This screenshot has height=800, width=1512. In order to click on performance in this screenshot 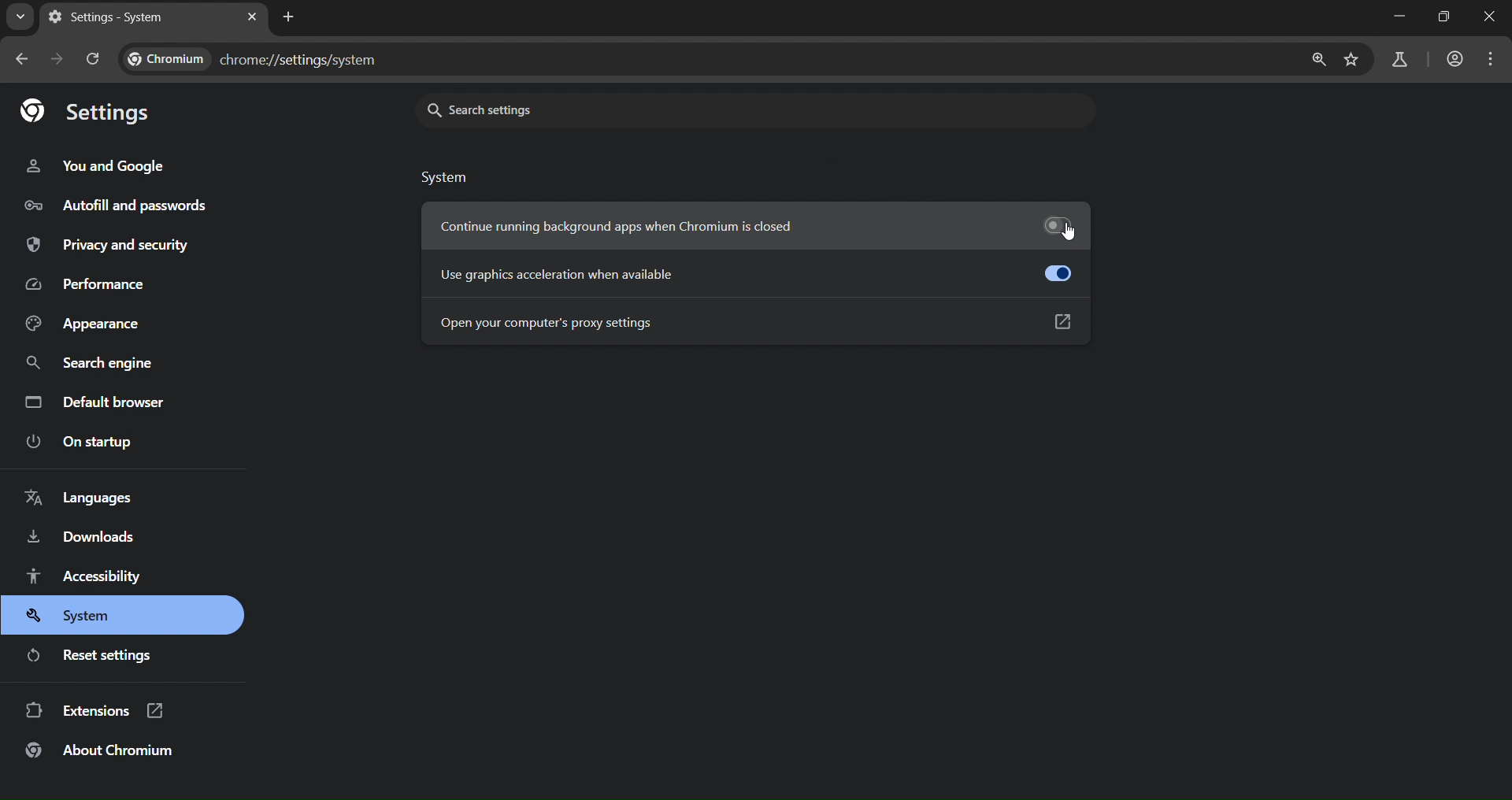, I will do `click(88, 284)`.